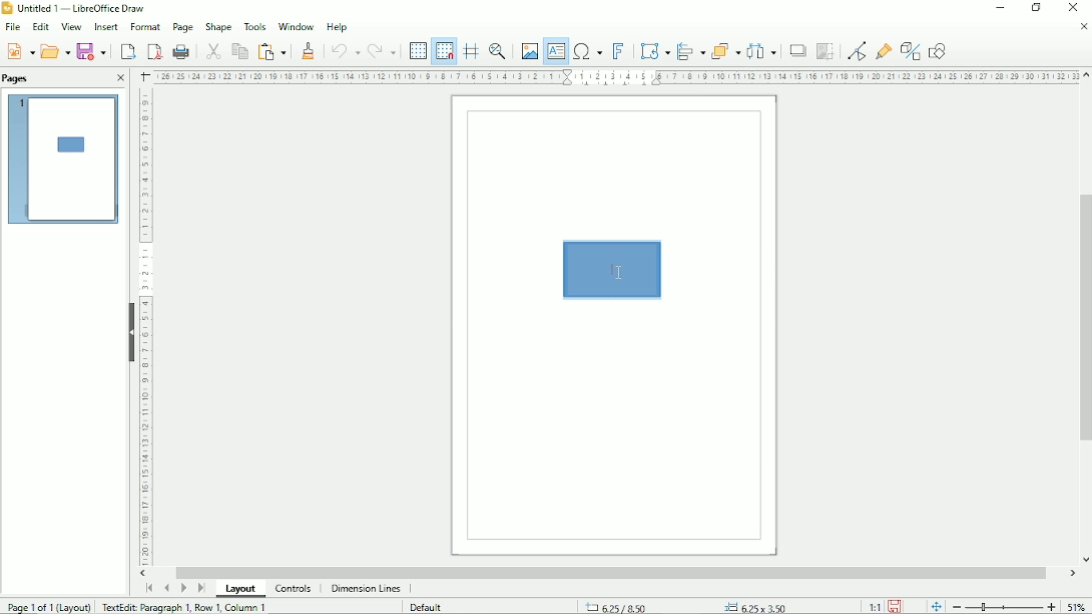 This screenshot has width=1092, height=614. Describe the element at coordinates (166, 588) in the screenshot. I see `Scroll to previous page` at that location.